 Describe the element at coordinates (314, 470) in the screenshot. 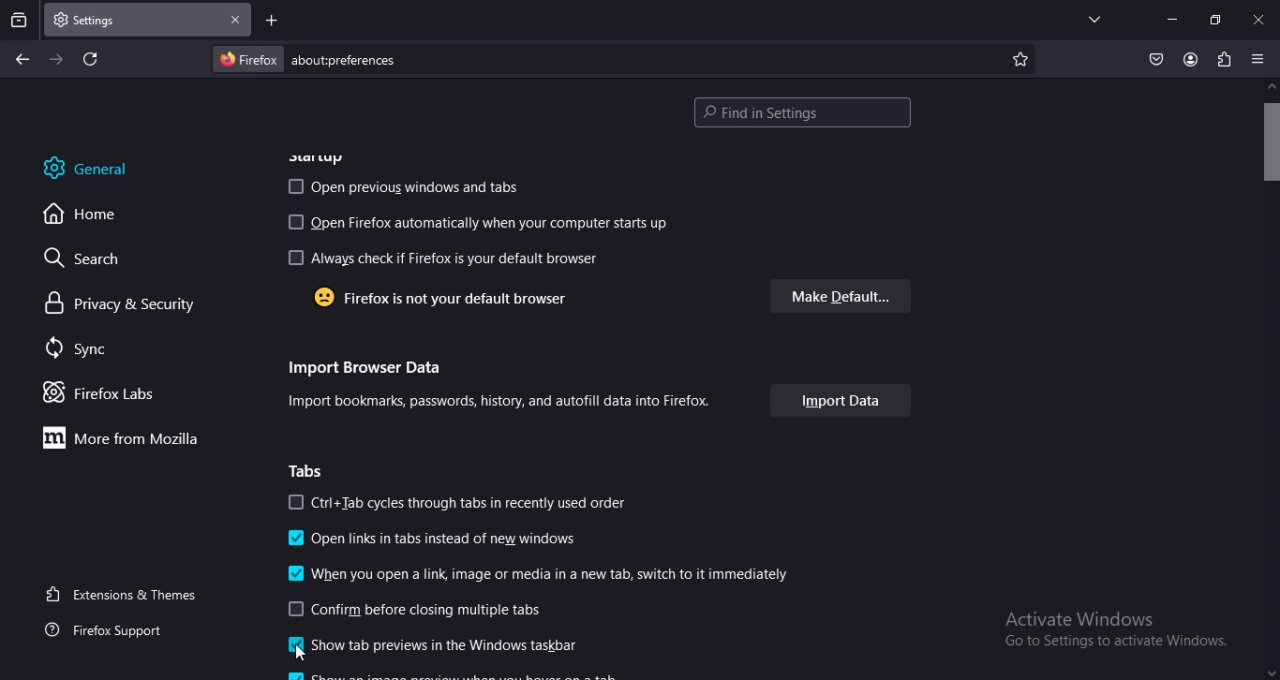

I see `tabs` at that location.